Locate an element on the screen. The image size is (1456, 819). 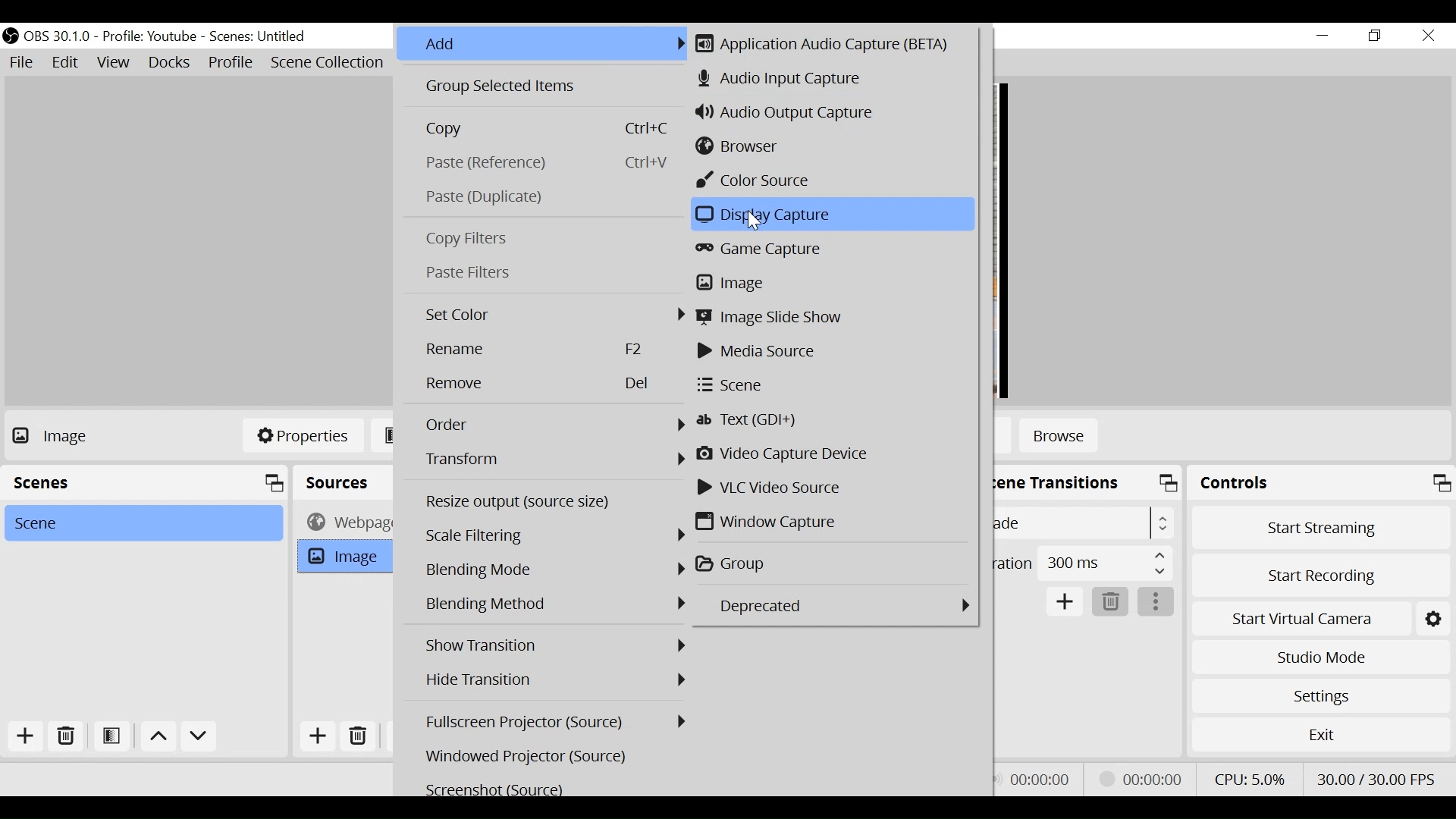
Add is located at coordinates (318, 736).